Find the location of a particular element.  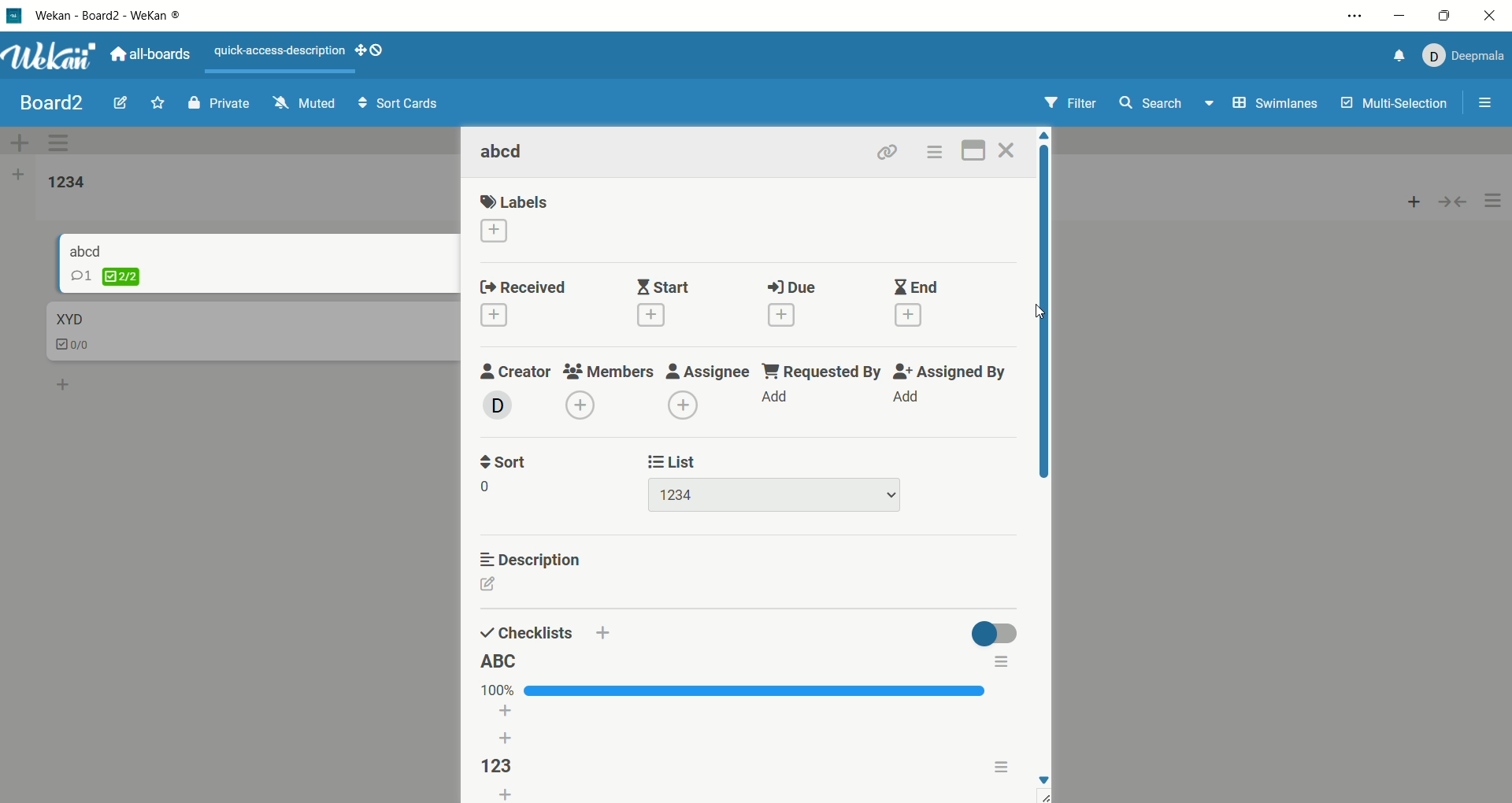

toggle button is located at coordinates (991, 631).